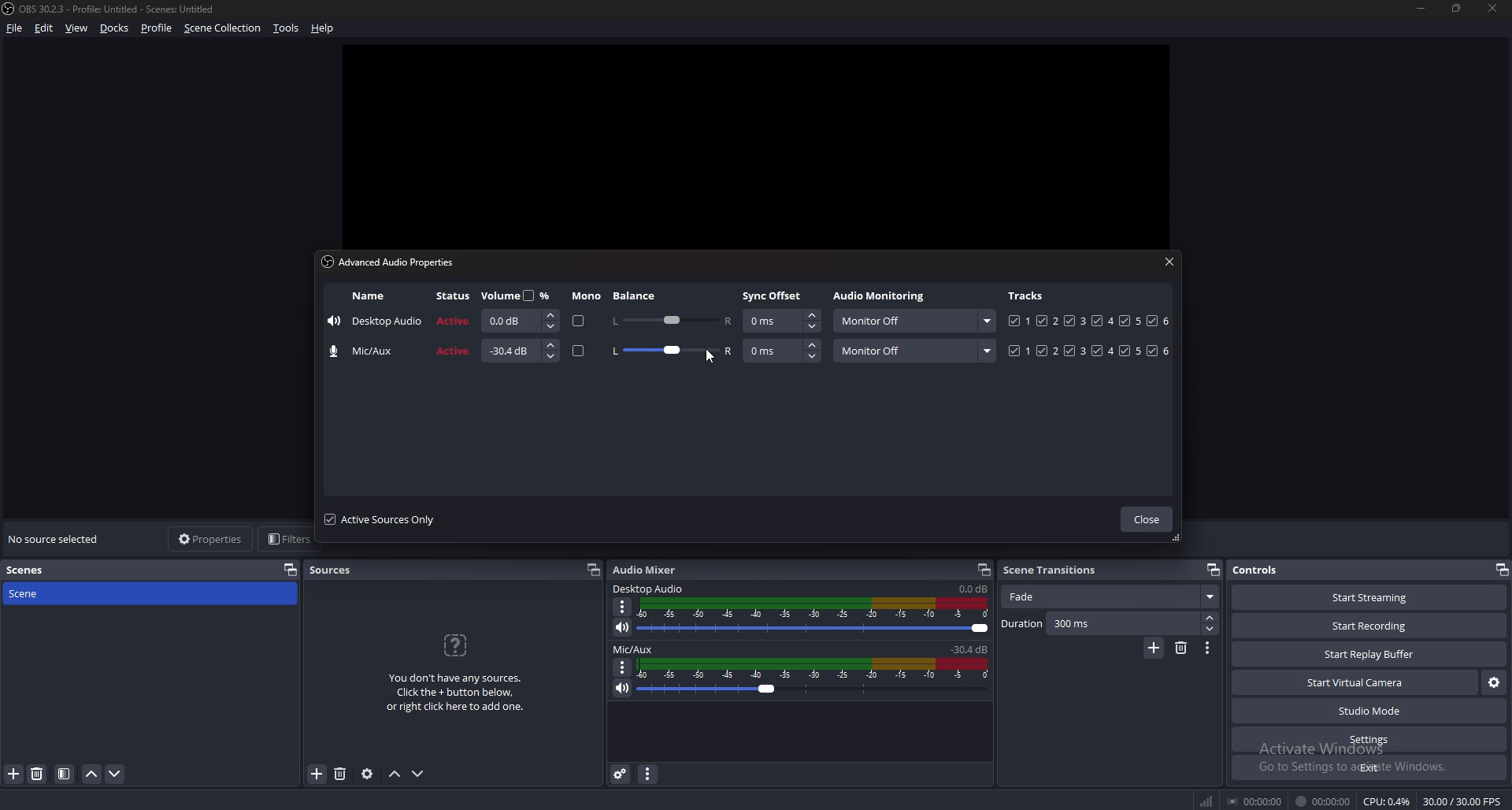 This screenshot has width=1512, height=810. What do you see at coordinates (1026, 296) in the screenshot?
I see `tracks` at bounding box center [1026, 296].